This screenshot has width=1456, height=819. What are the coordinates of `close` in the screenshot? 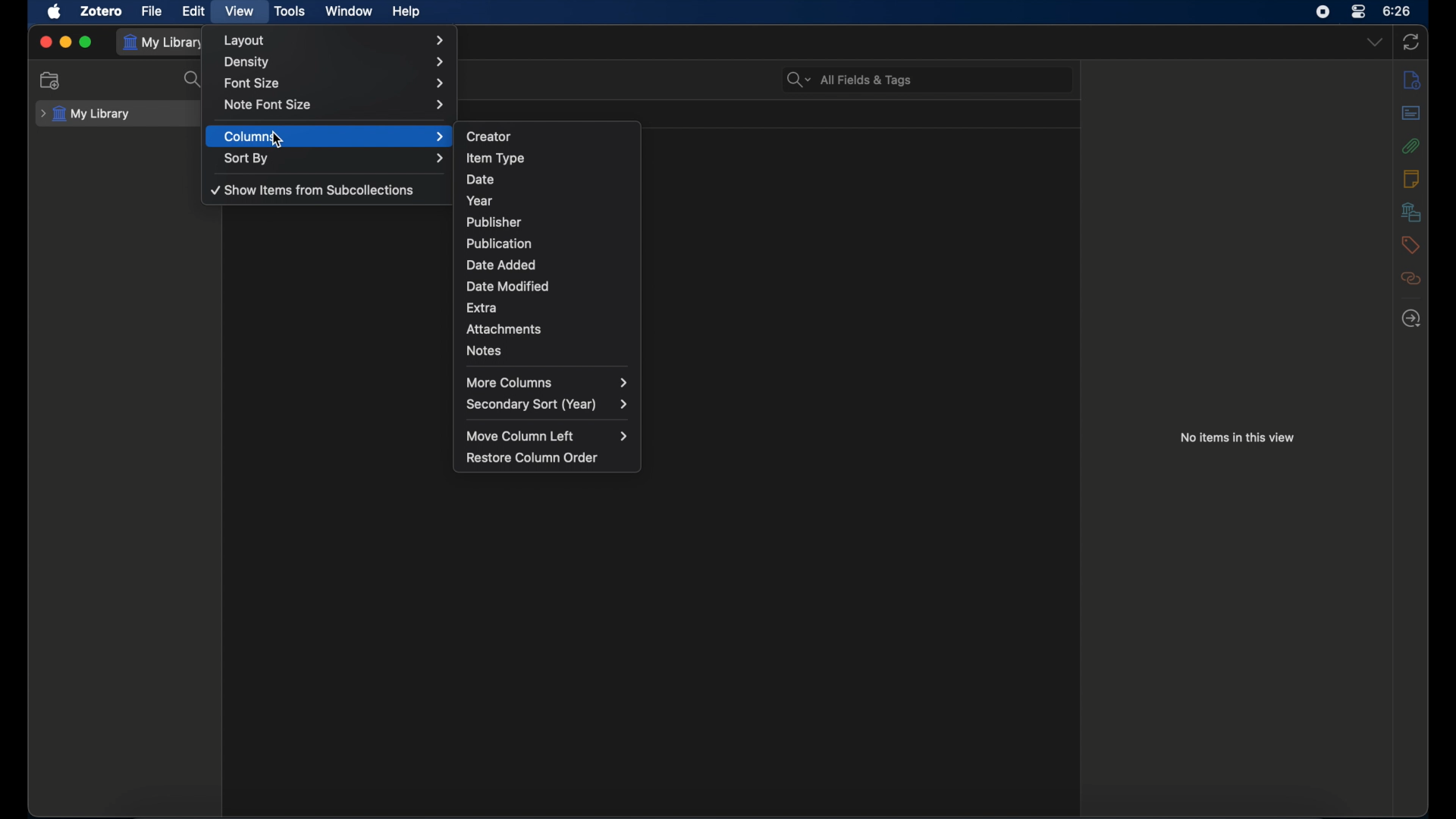 It's located at (46, 40).